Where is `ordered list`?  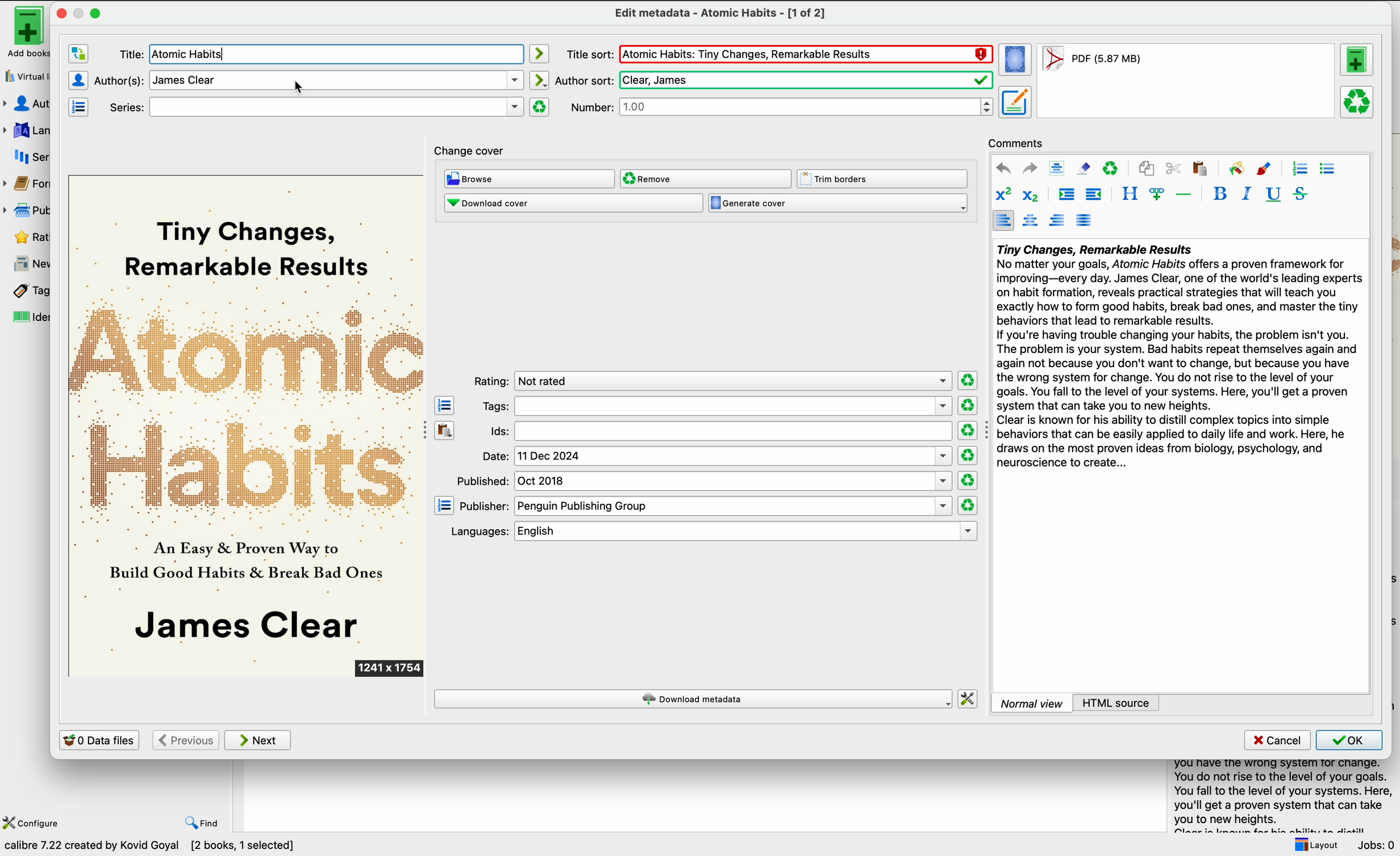 ordered list is located at coordinates (1299, 169).